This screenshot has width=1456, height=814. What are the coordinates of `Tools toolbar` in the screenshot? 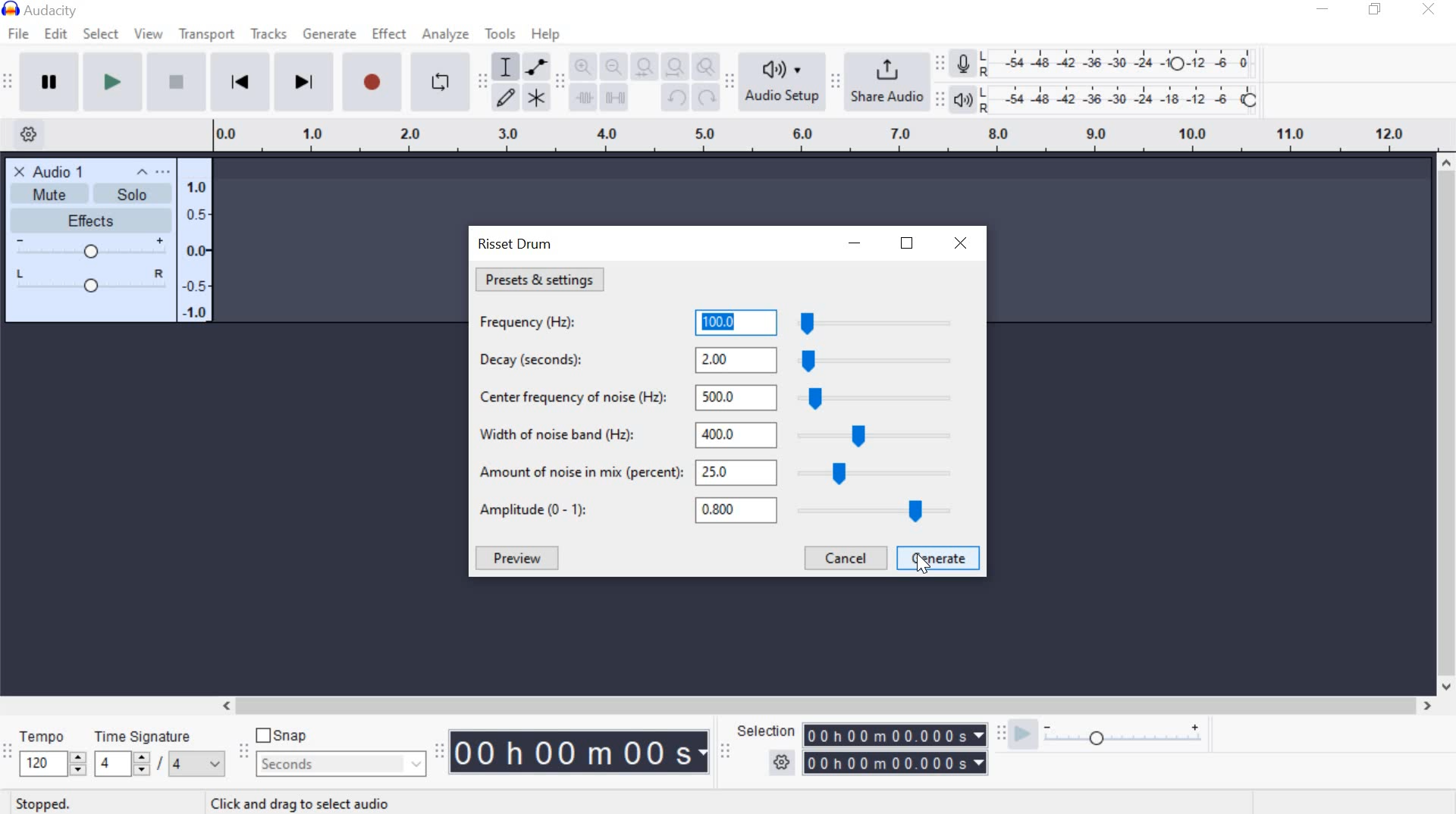 It's located at (482, 80).